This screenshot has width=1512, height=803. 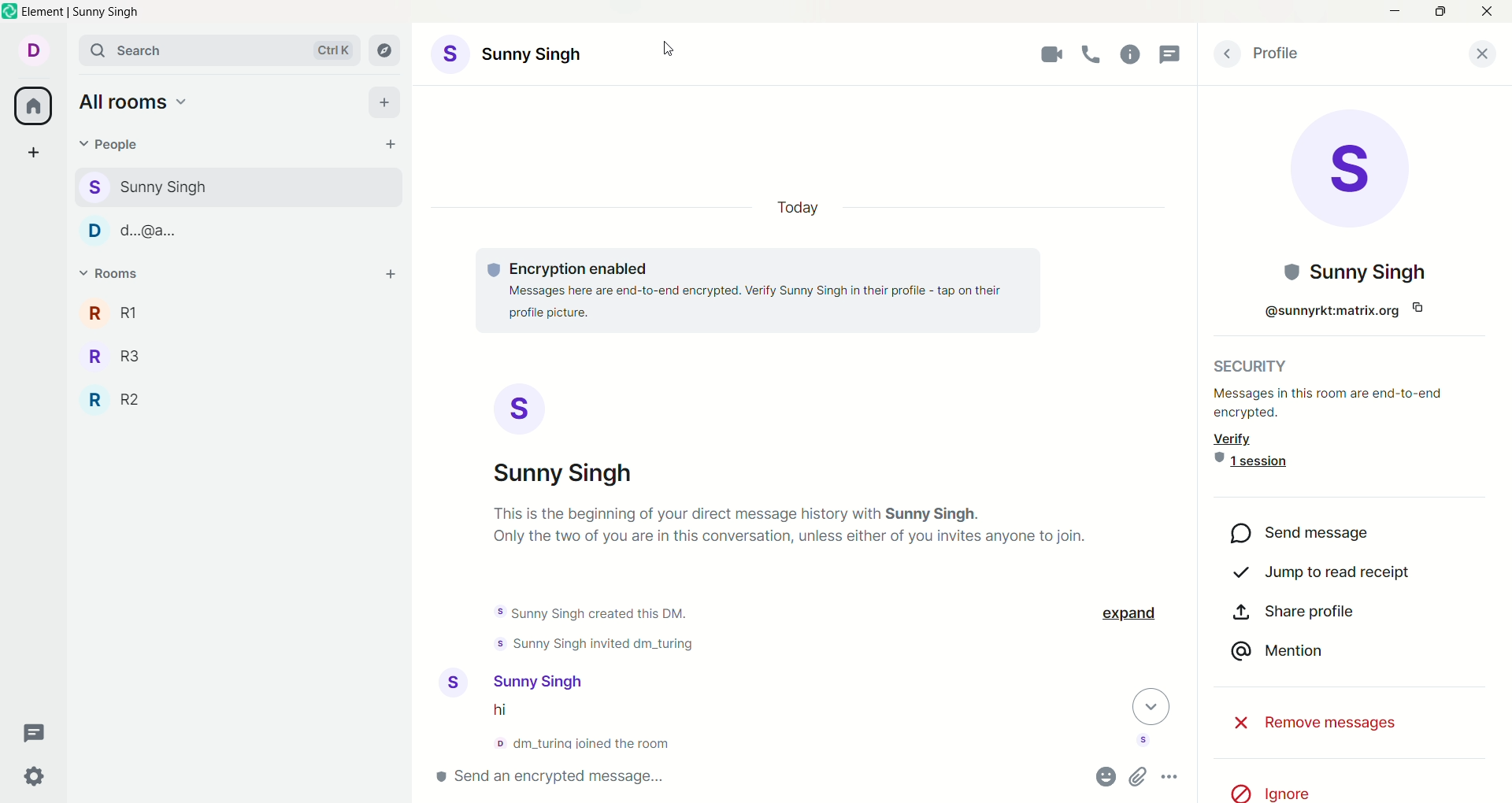 What do you see at coordinates (577, 730) in the screenshot?
I see `text` at bounding box center [577, 730].